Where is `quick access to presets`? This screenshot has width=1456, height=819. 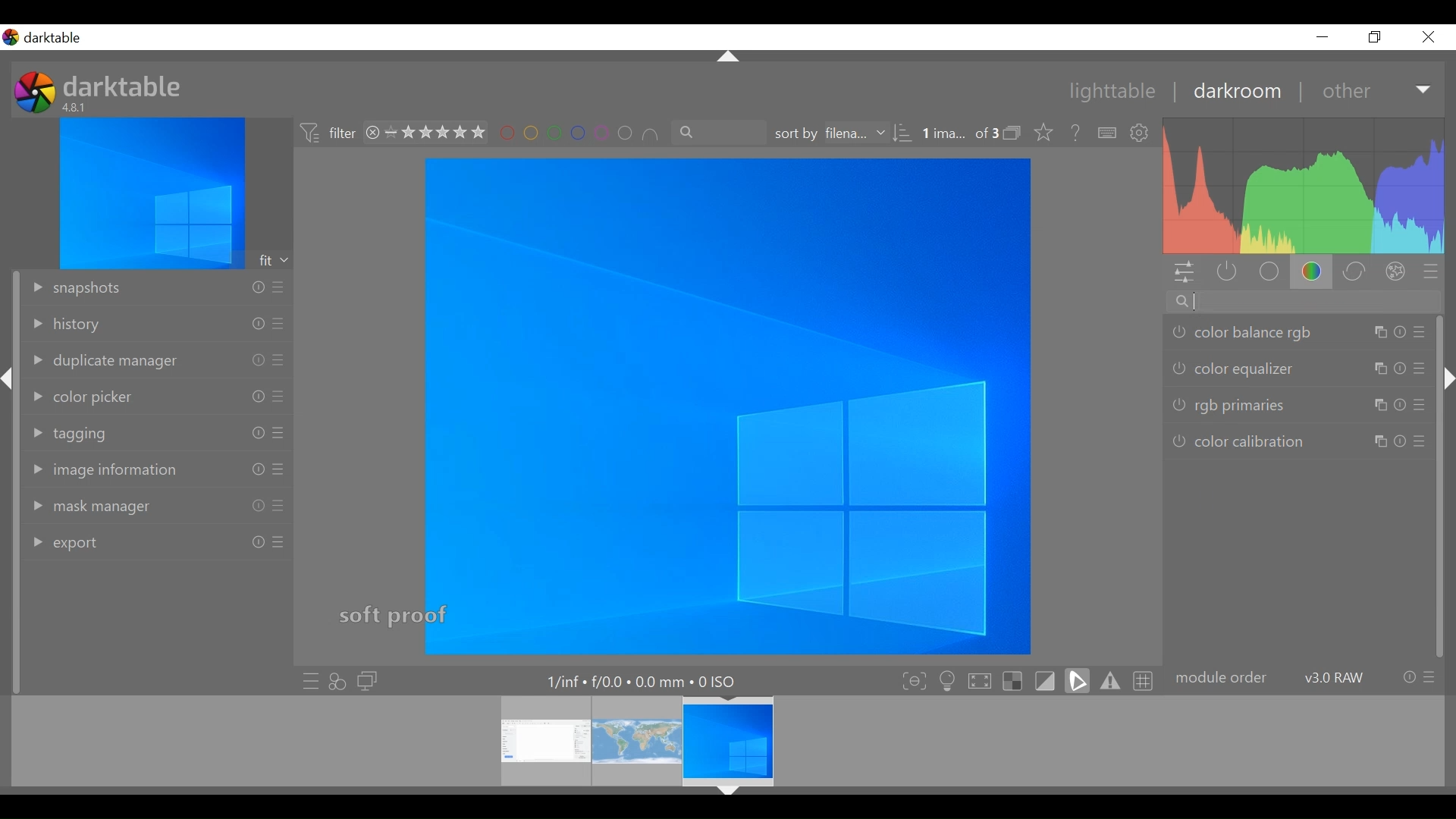
quick access to presets is located at coordinates (306, 680).